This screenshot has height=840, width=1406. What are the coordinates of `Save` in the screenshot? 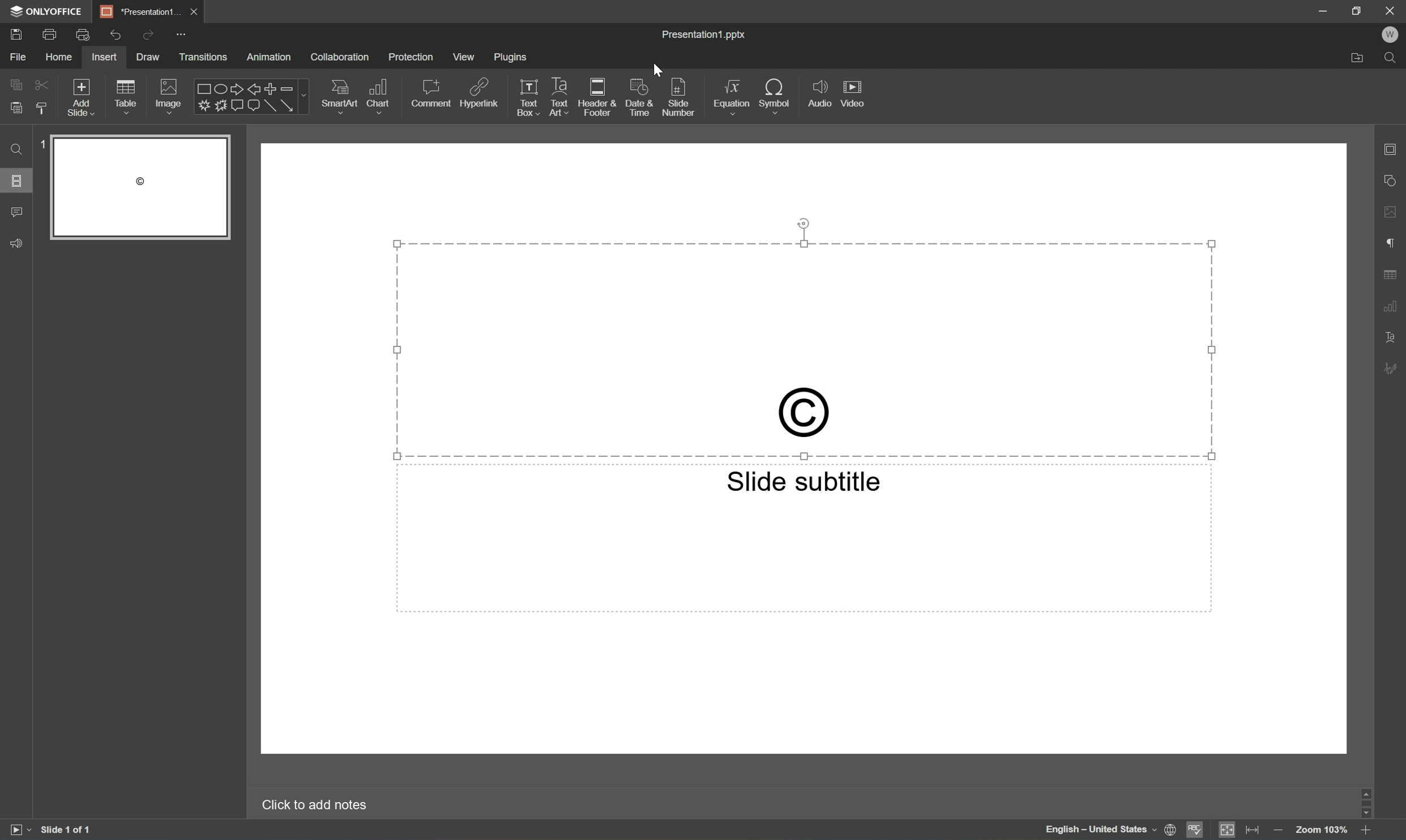 It's located at (17, 34).